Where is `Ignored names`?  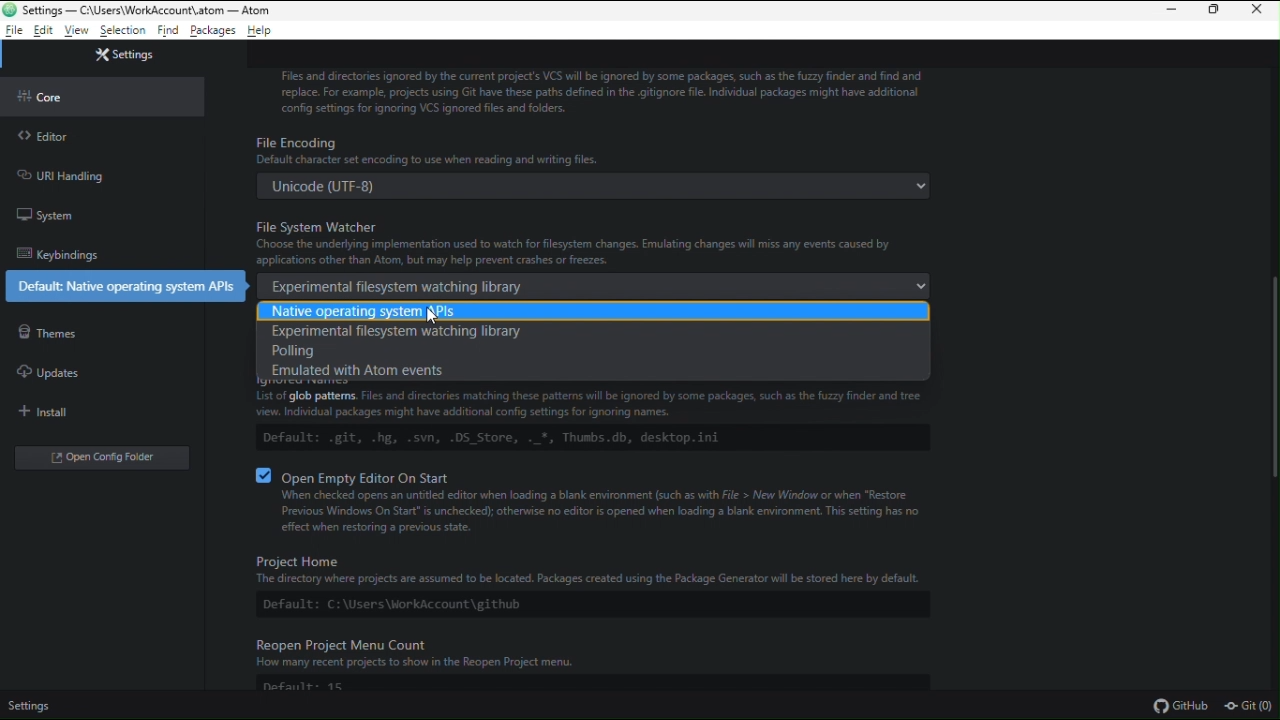
Ignored names is located at coordinates (593, 415).